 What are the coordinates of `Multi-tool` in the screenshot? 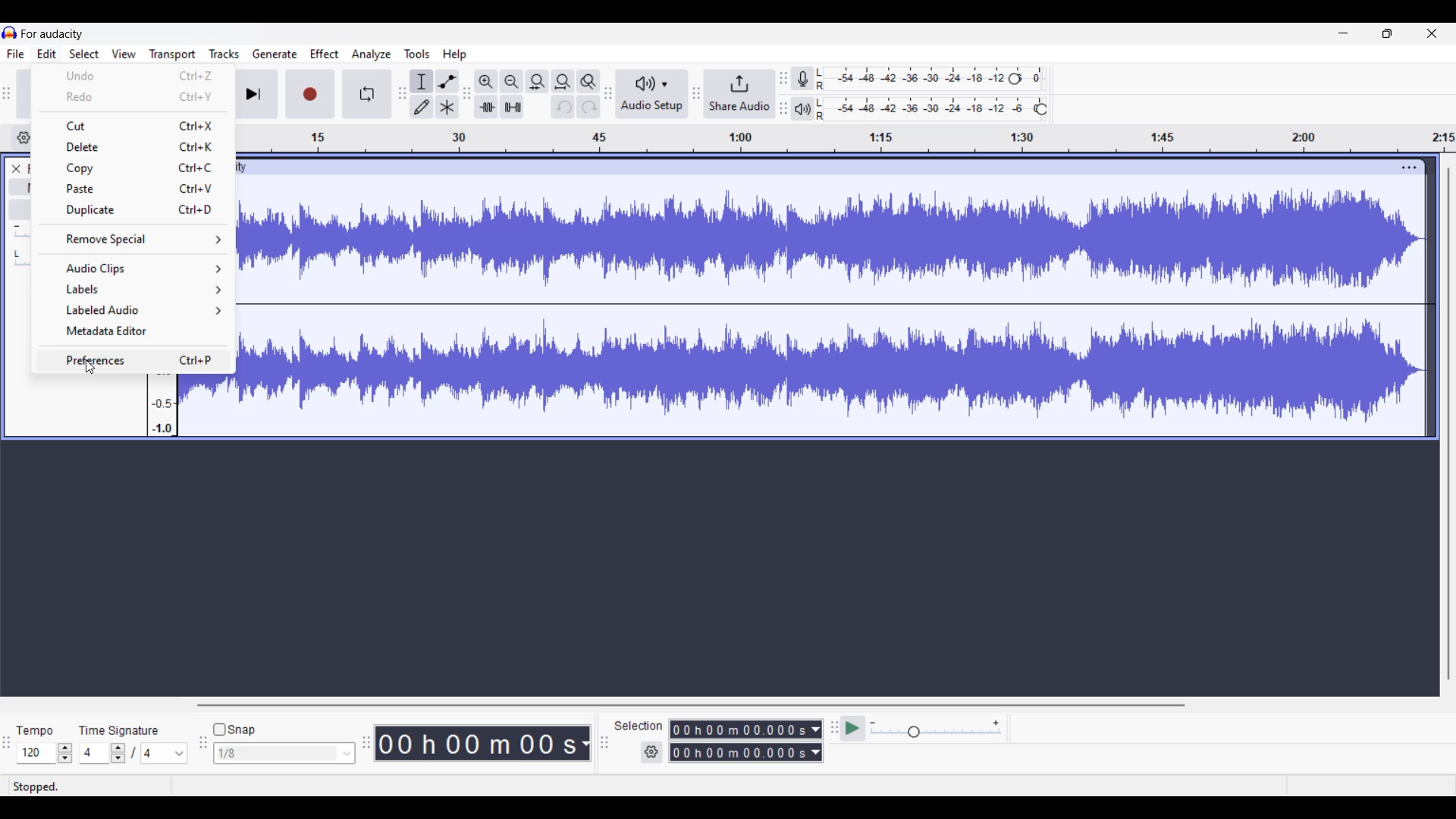 It's located at (447, 107).